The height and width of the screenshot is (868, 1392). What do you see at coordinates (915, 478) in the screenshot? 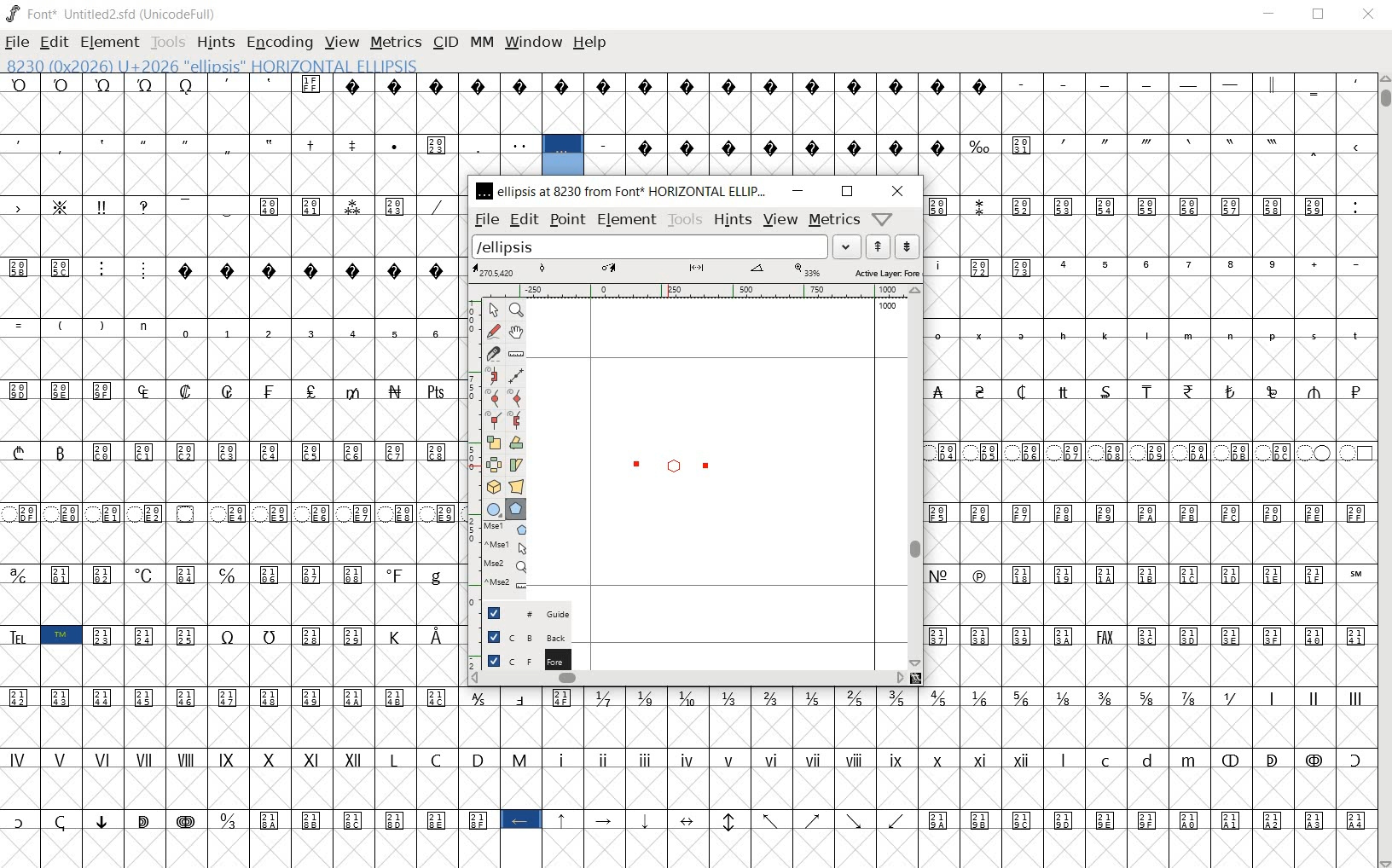
I see `scrollbar` at bounding box center [915, 478].